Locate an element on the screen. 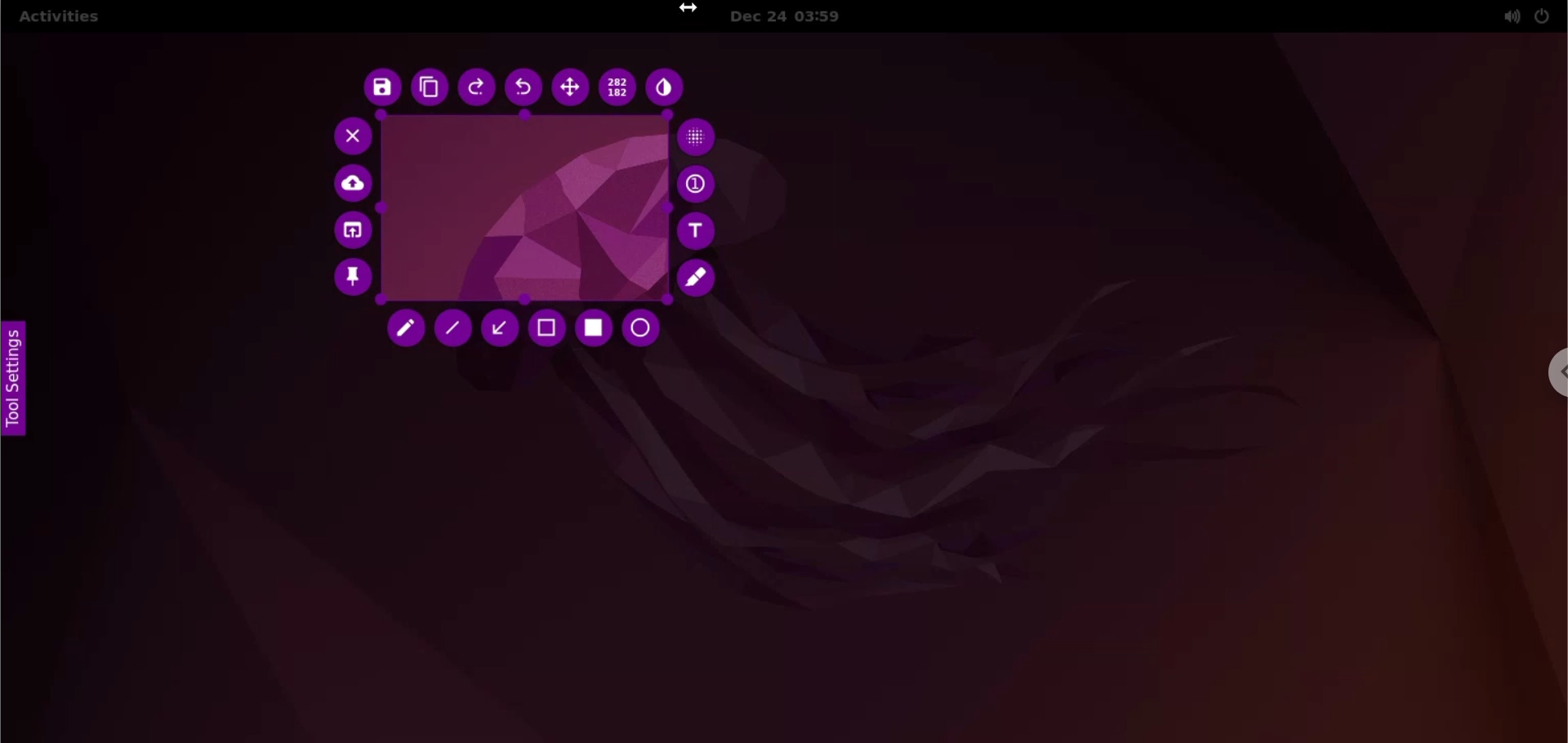 The height and width of the screenshot is (743, 1568). redo is located at coordinates (474, 87).